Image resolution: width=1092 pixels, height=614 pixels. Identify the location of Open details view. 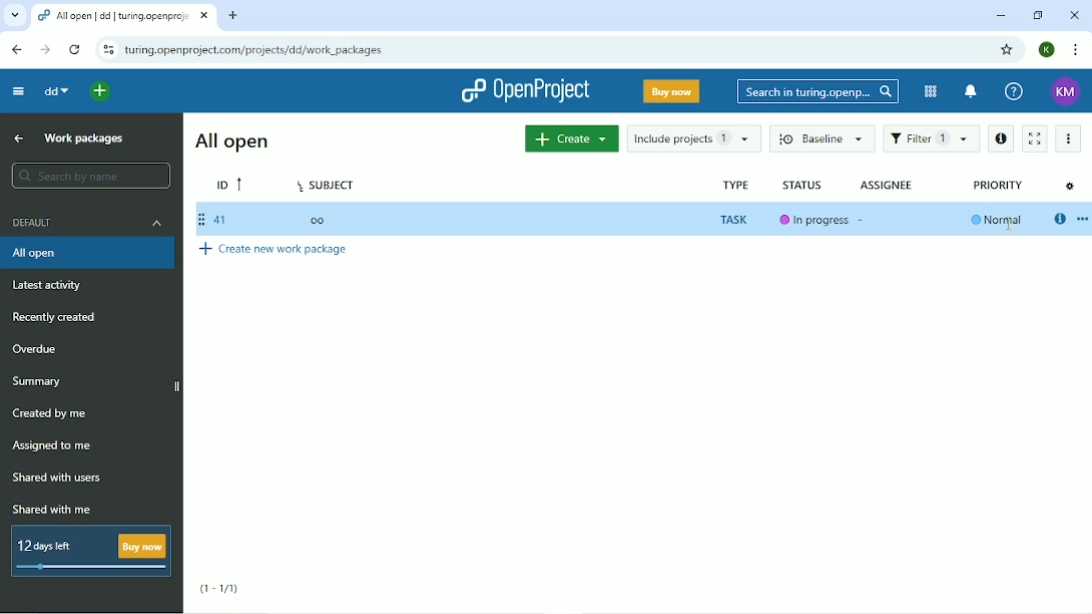
(1059, 221).